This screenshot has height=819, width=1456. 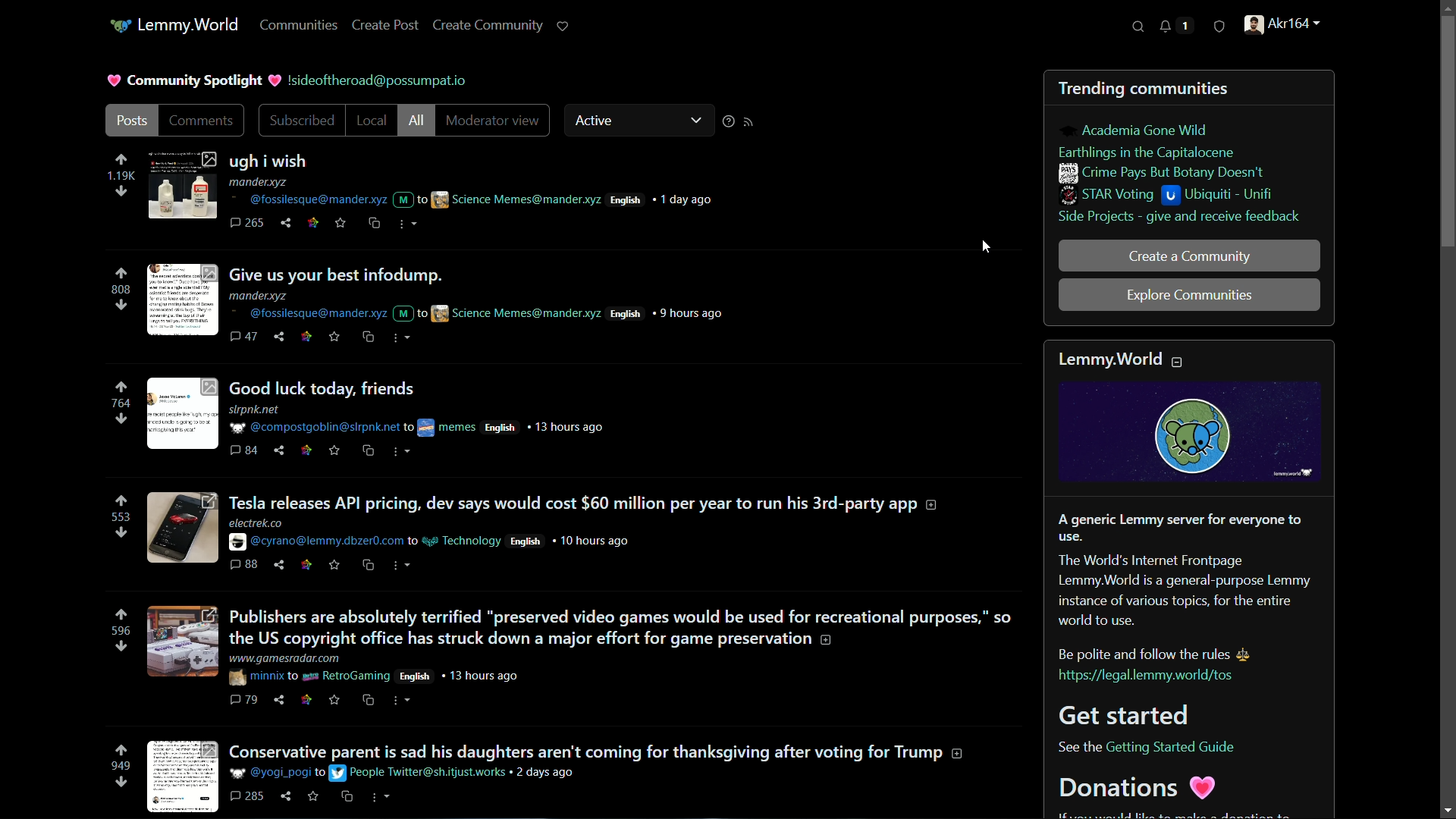 I want to click on Conservative parent is sad his daughters aren't coming for thanksgiving after voting for Trump, so click(x=588, y=749).